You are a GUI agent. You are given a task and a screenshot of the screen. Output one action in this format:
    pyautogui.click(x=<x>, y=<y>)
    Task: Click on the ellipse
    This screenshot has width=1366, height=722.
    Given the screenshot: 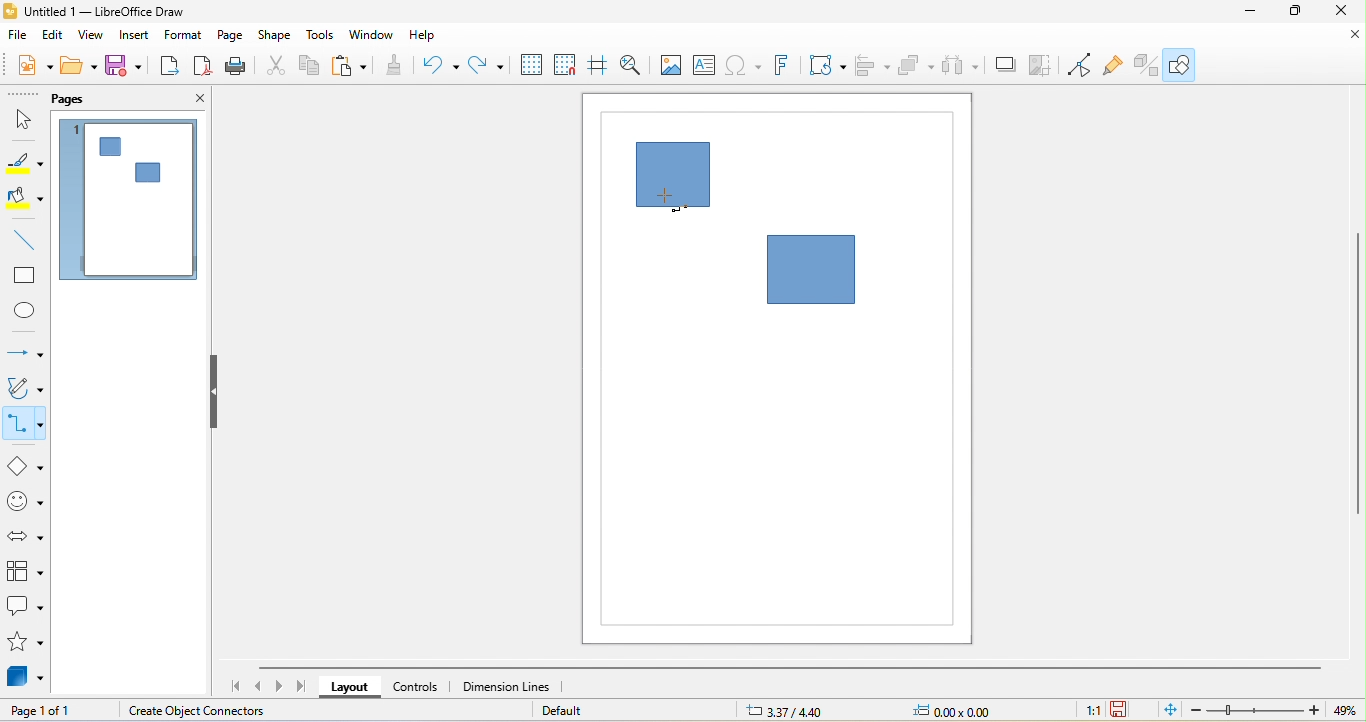 What is the action you would take?
    pyautogui.click(x=24, y=311)
    